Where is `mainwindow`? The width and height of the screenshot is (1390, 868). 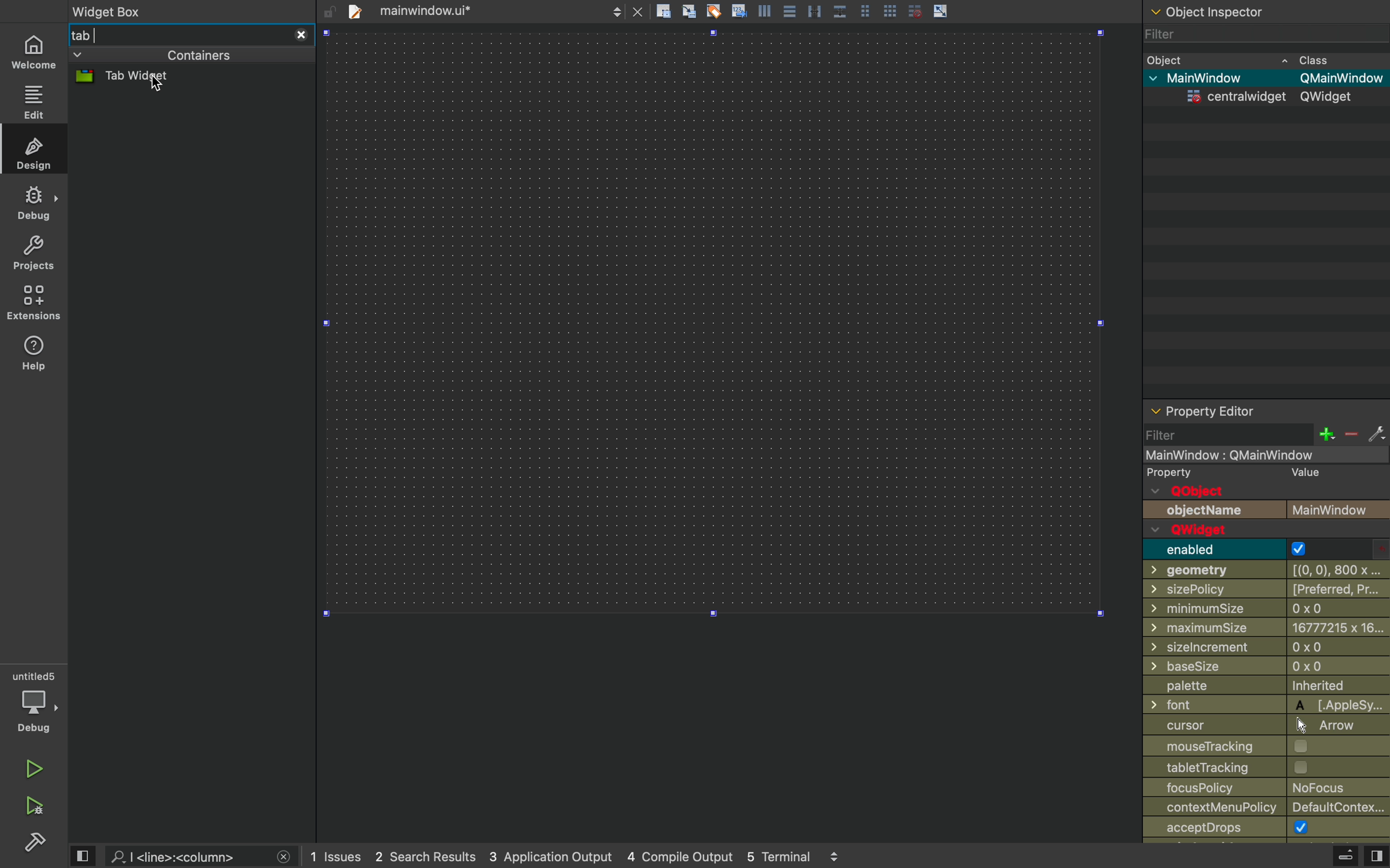
mainwindow is located at coordinates (1266, 455).